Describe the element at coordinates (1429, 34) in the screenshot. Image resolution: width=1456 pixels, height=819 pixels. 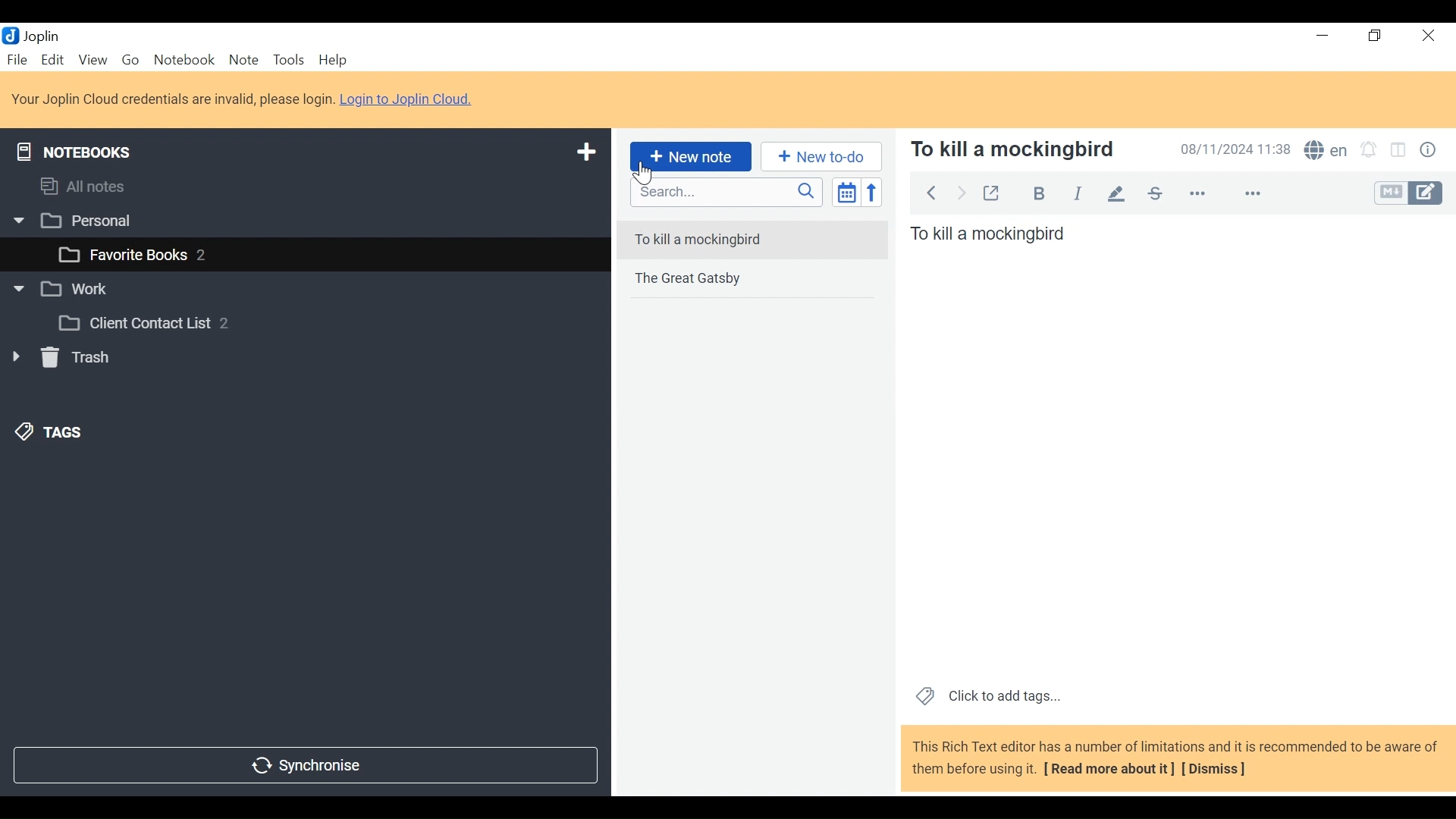
I see `Close` at that location.